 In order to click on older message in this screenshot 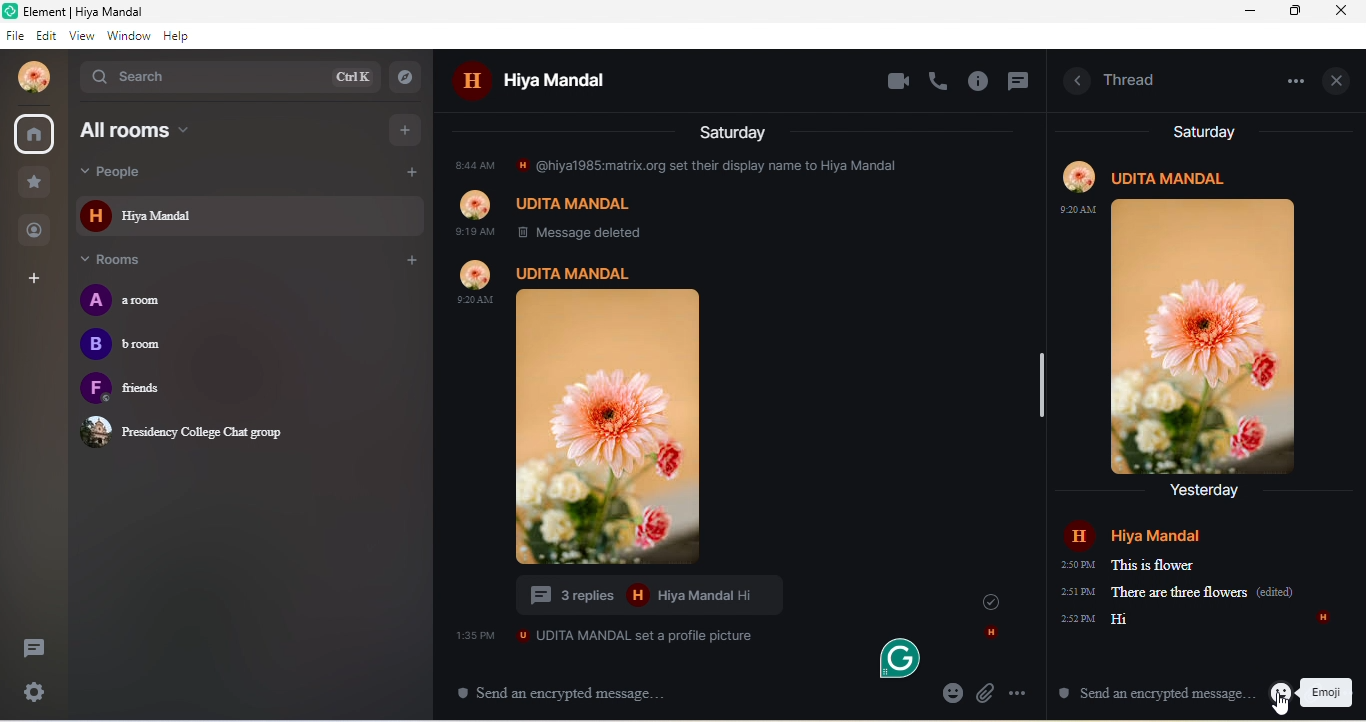, I will do `click(718, 197)`.